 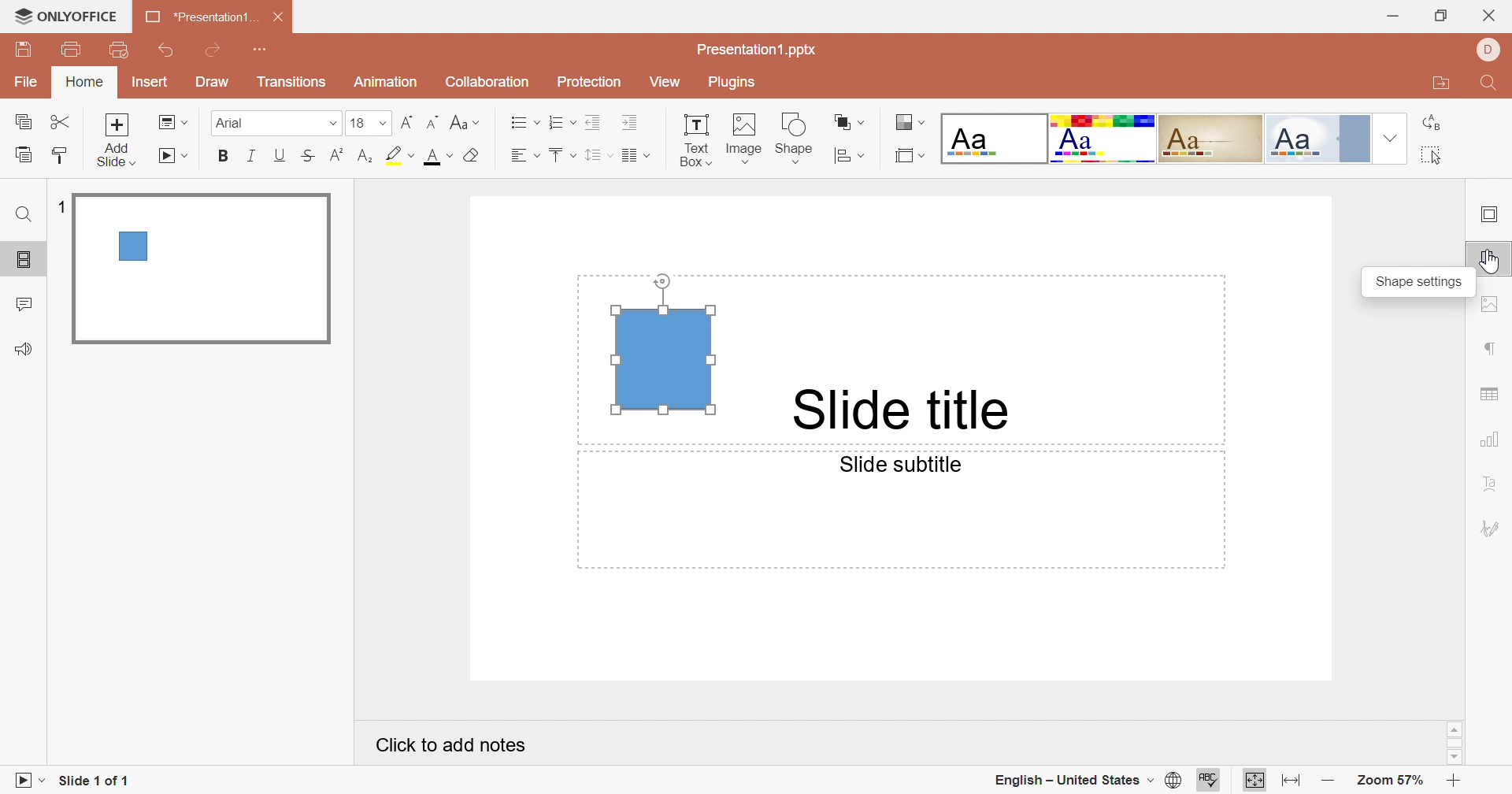 I want to click on Find, so click(x=1491, y=82).